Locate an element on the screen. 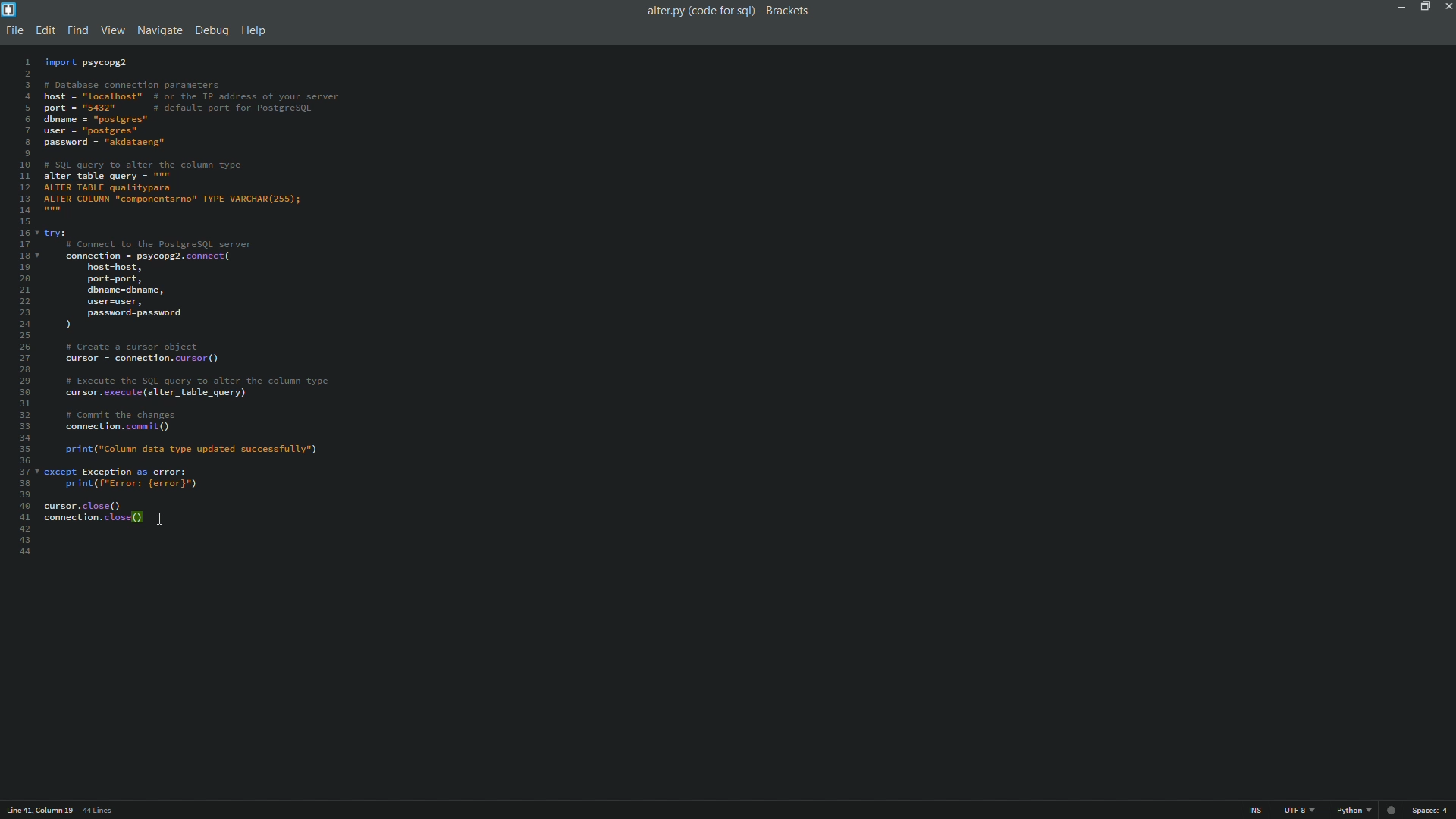  debug menu is located at coordinates (209, 31).